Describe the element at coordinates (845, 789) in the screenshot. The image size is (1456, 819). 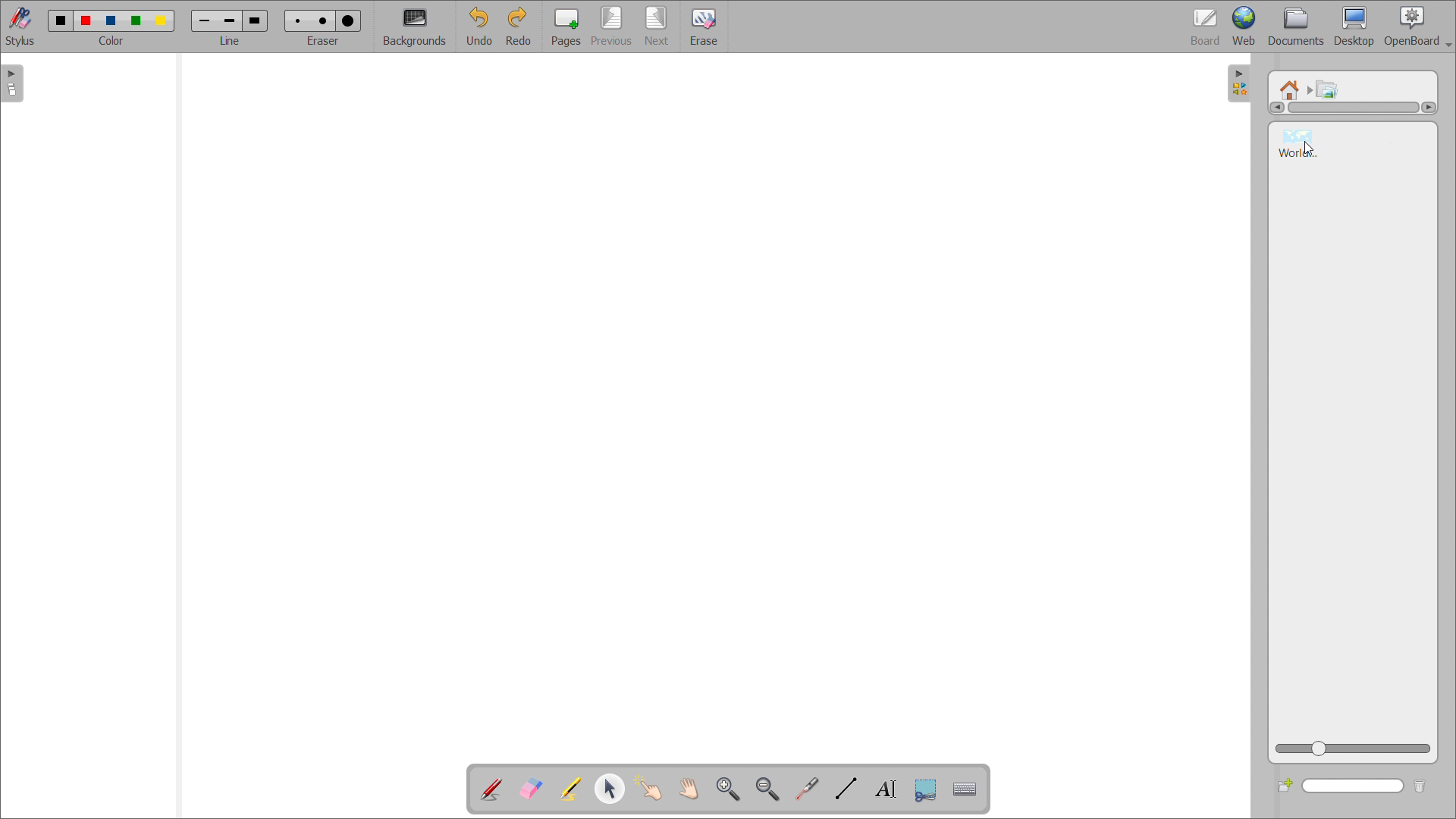
I see `draw lines` at that location.